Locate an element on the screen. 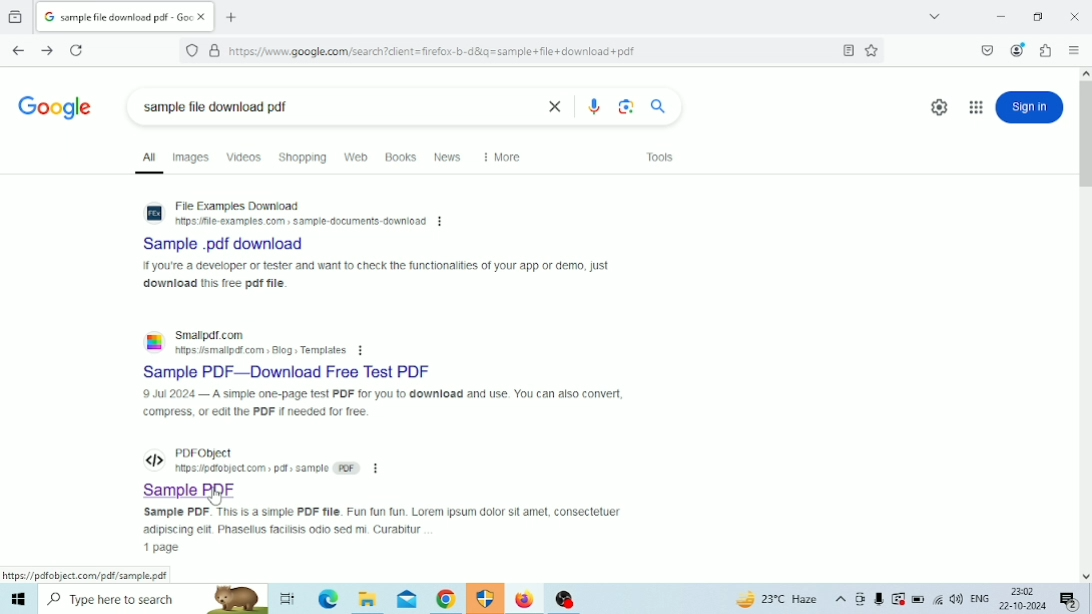 The image size is (1092, 614). Close is located at coordinates (1076, 17).